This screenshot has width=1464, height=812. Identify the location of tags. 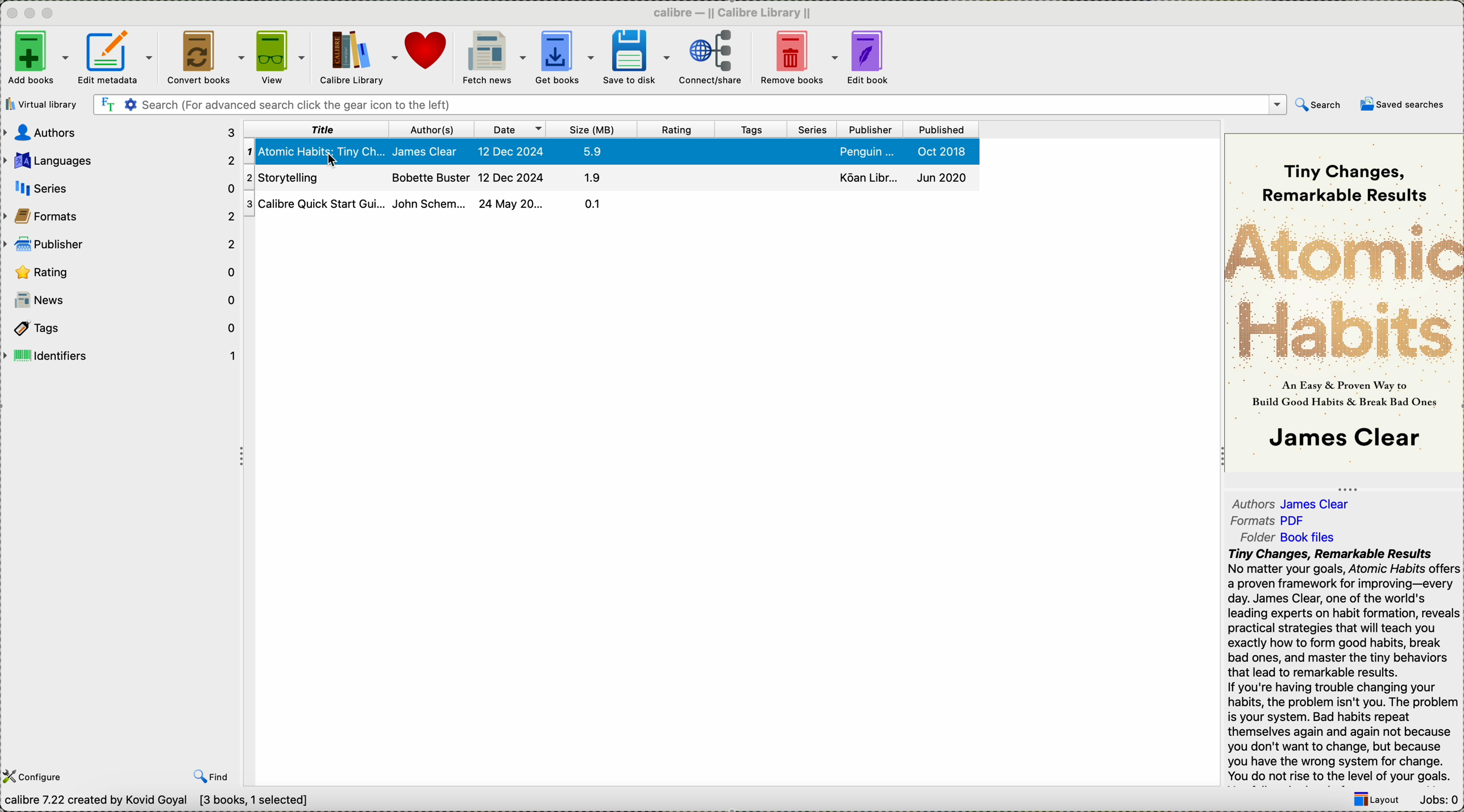
(119, 327).